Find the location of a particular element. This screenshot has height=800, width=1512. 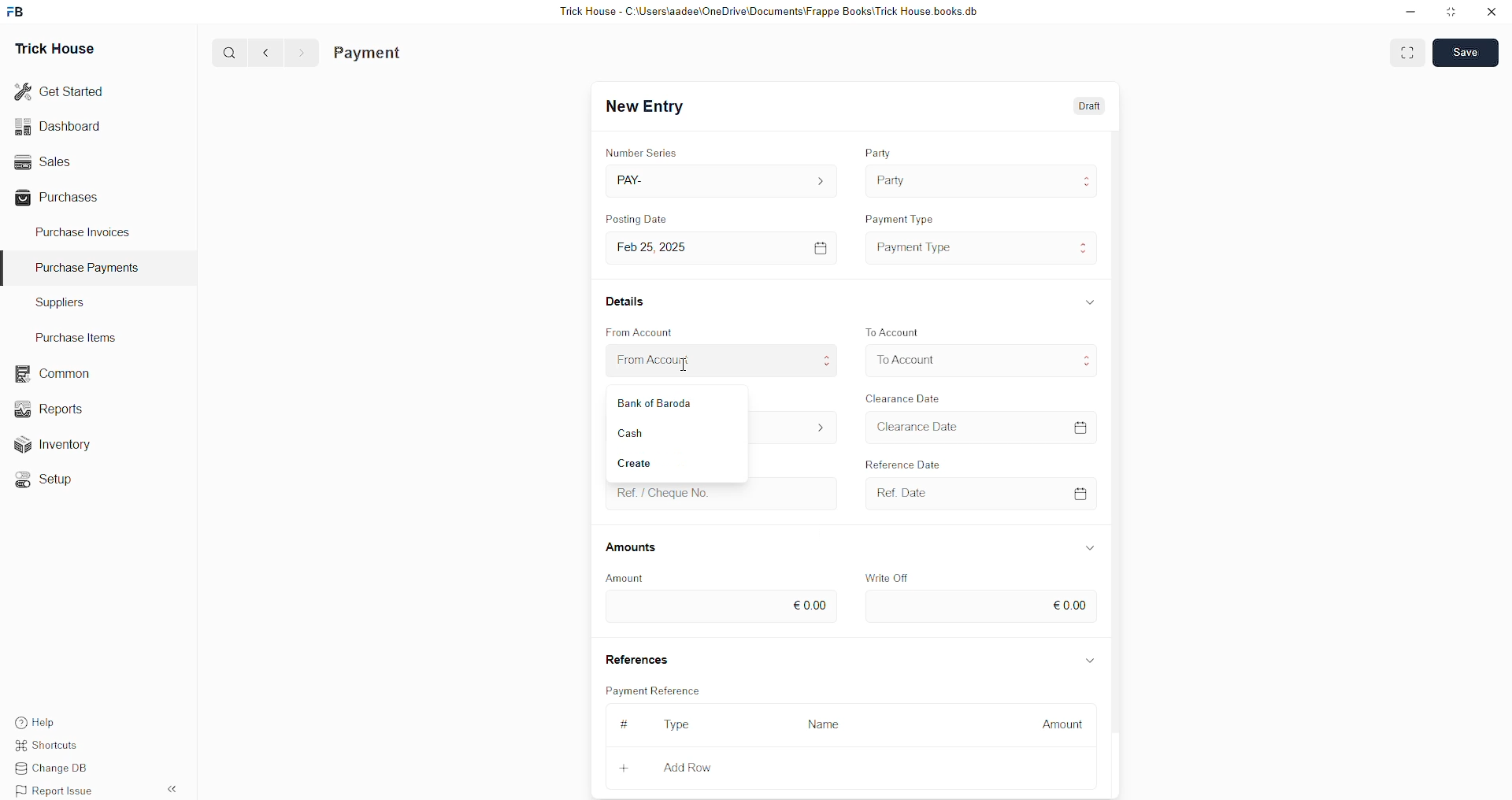

> is located at coordinates (301, 53).